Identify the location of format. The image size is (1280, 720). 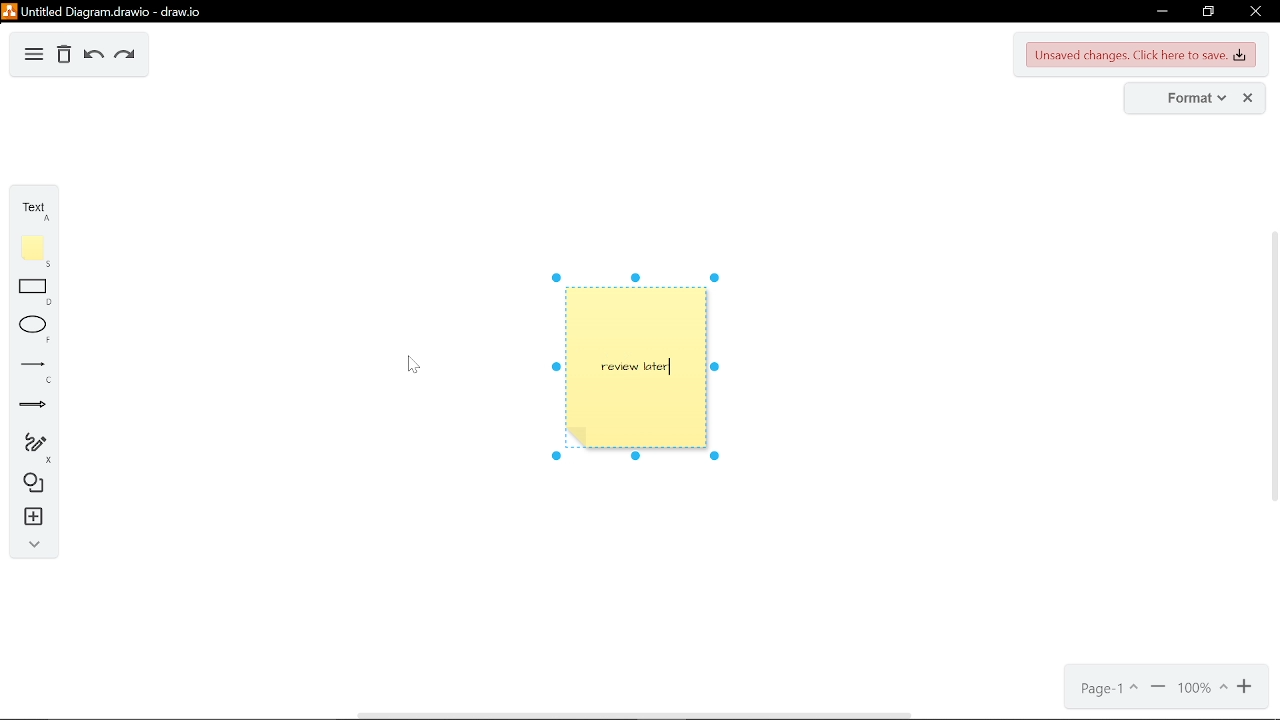
(1186, 99).